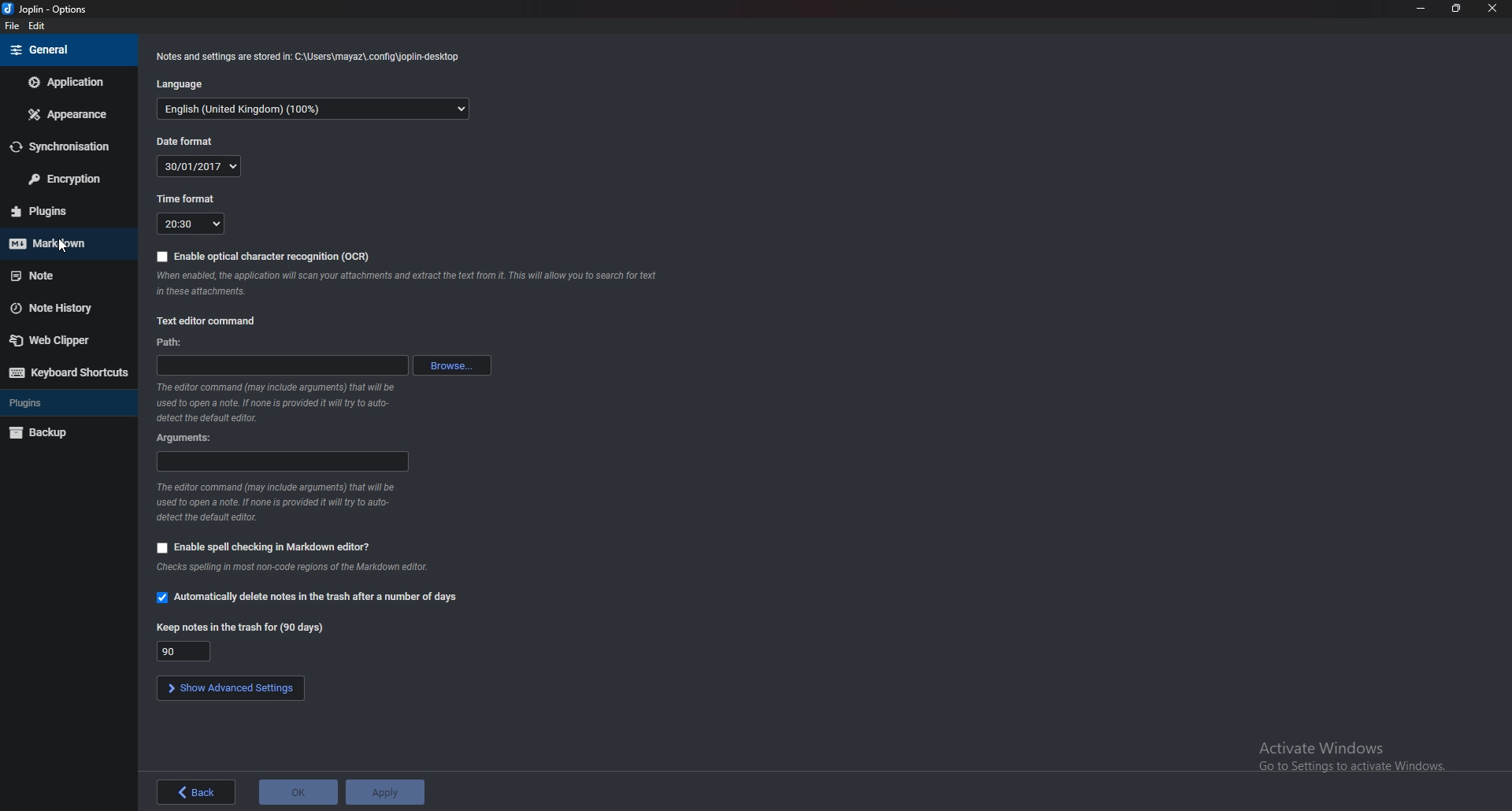 The image size is (1512, 811). Describe the element at coordinates (190, 224) in the screenshot. I see `Time format` at that location.